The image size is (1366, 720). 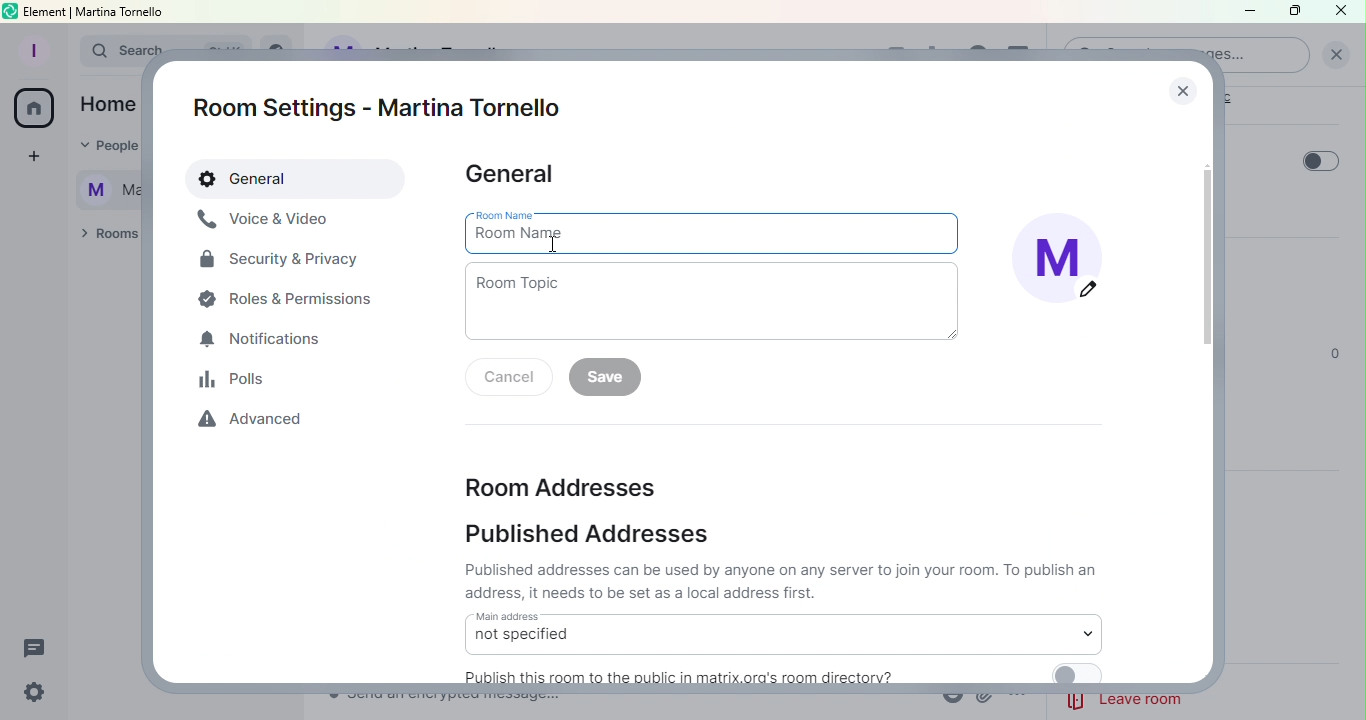 What do you see at coordinates (31, 159) in the screenshot?
I see `Create a space` at bounding box center [31, 159].